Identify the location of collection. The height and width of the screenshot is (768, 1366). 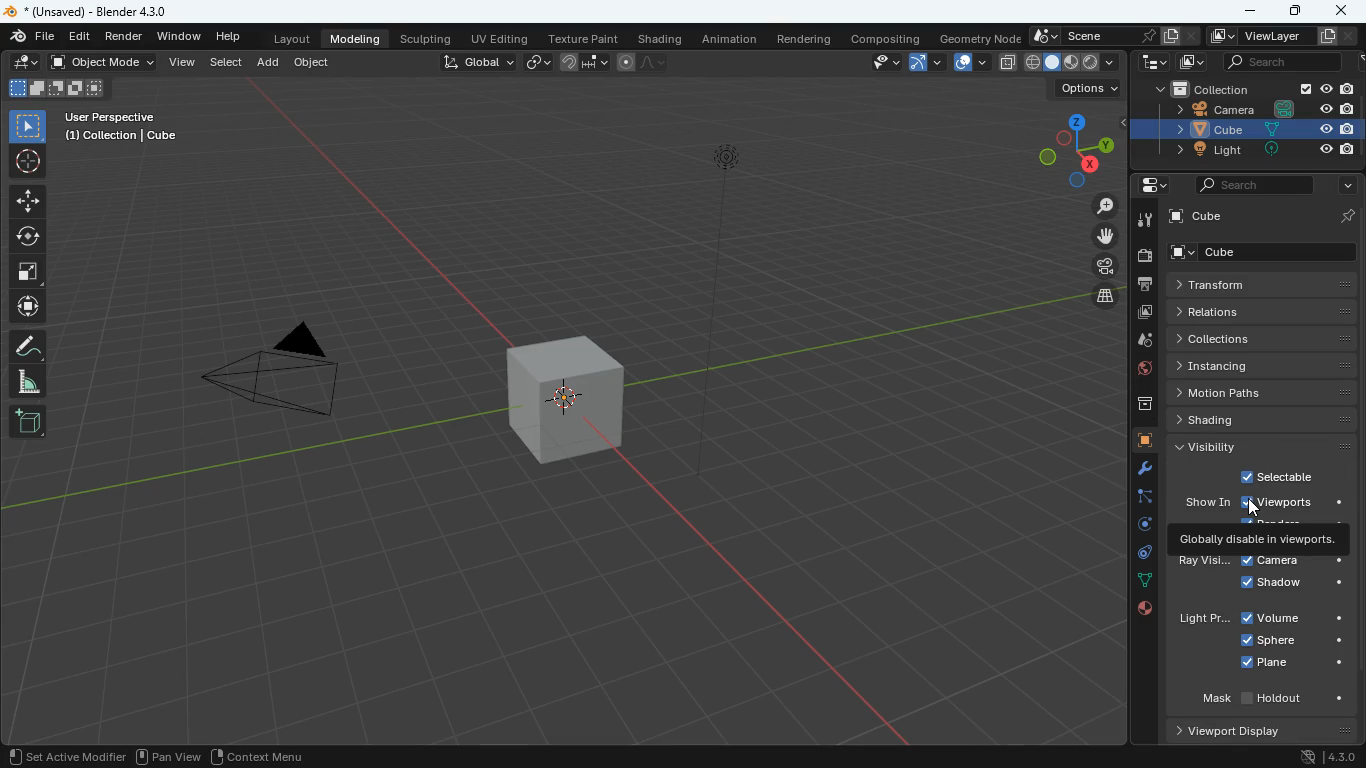
(1246, 88).